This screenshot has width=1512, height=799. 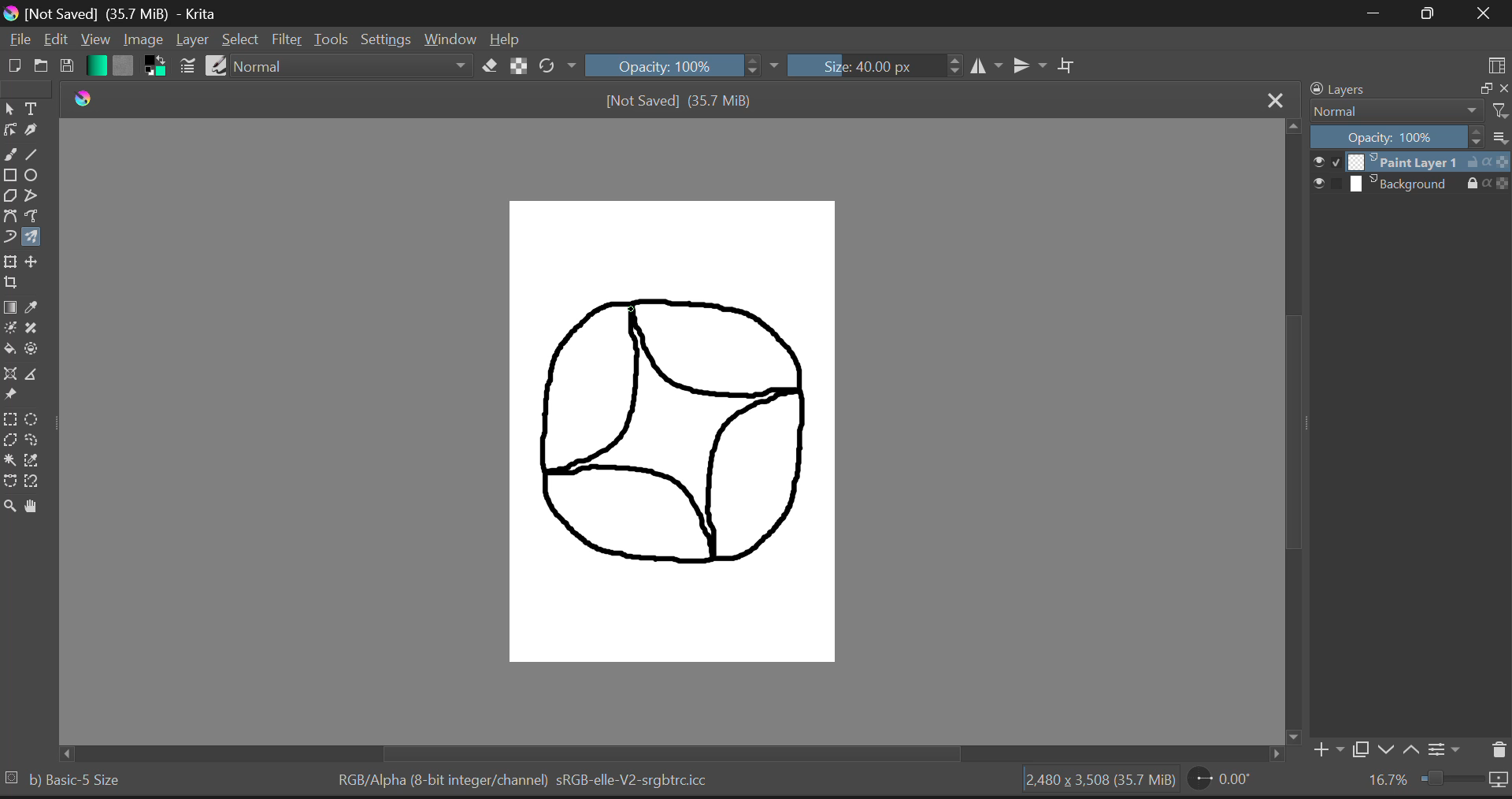 What do you see at coordinates (1393, 112) in the screenshot?
I see `Normal` at bounding box center [1393, 112].